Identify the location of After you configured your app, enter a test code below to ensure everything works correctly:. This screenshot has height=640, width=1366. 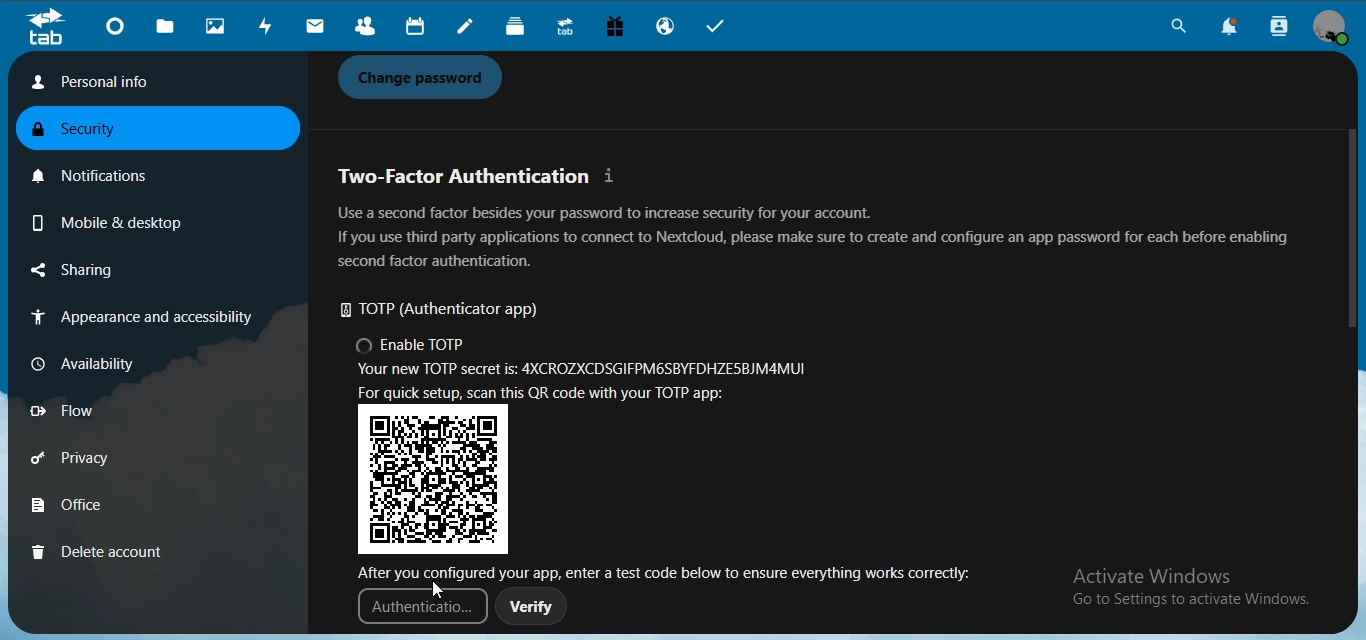
(672, 571).